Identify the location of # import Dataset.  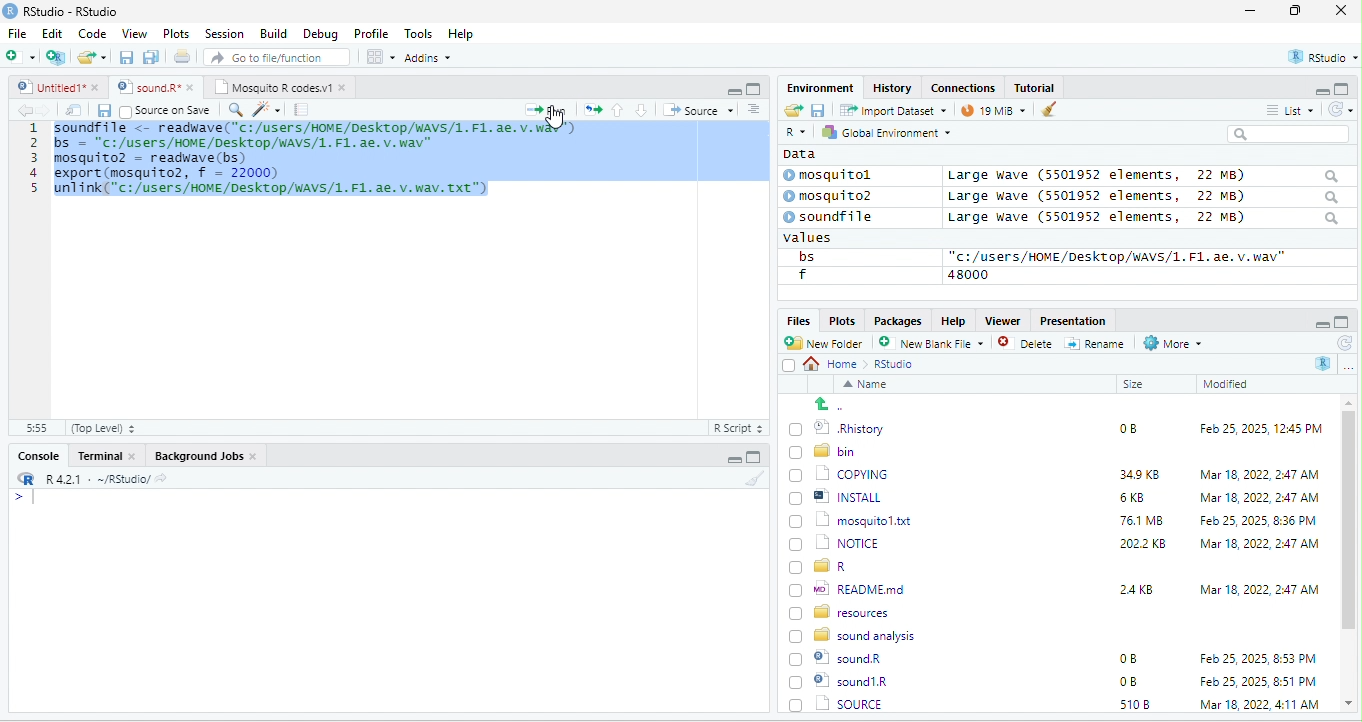
(891, 109).